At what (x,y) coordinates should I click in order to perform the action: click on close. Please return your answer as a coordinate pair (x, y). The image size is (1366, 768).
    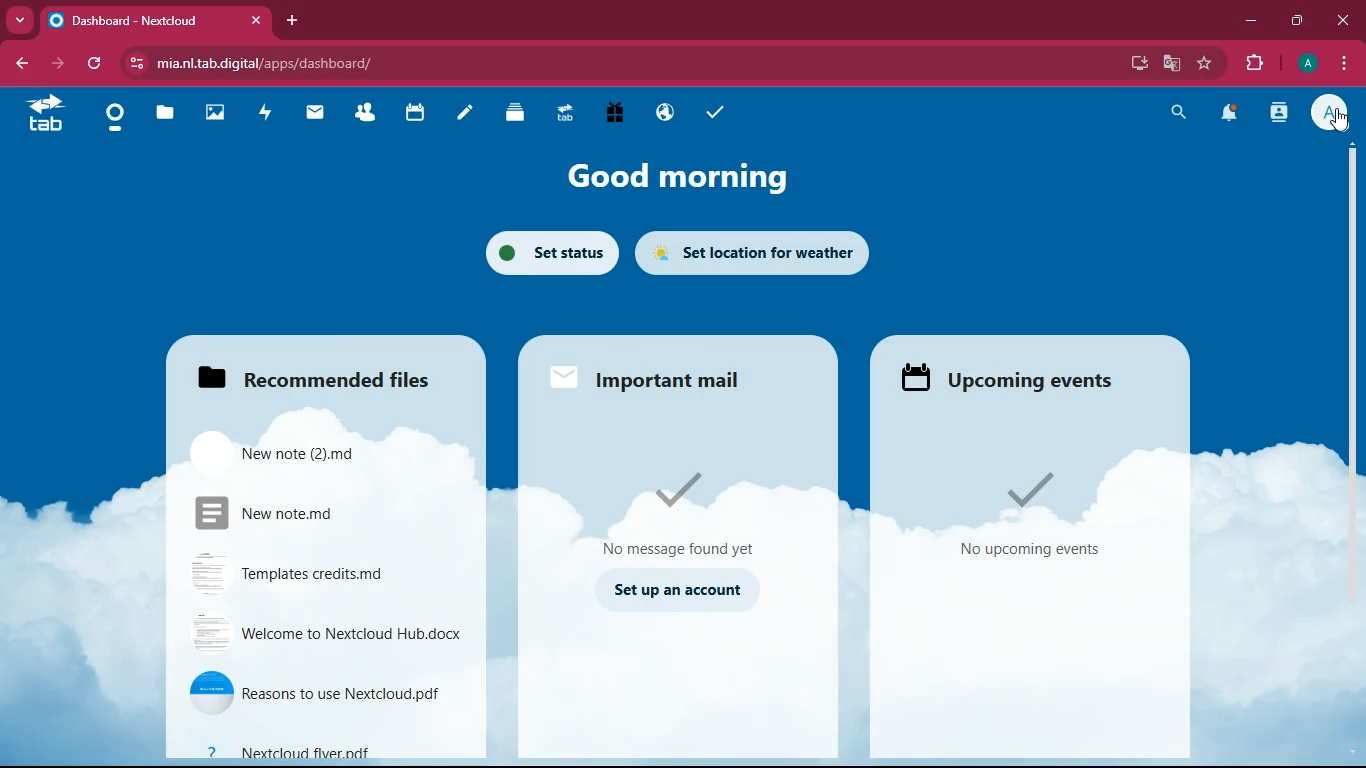
    Looking at the image, I should click on (1343, 21).